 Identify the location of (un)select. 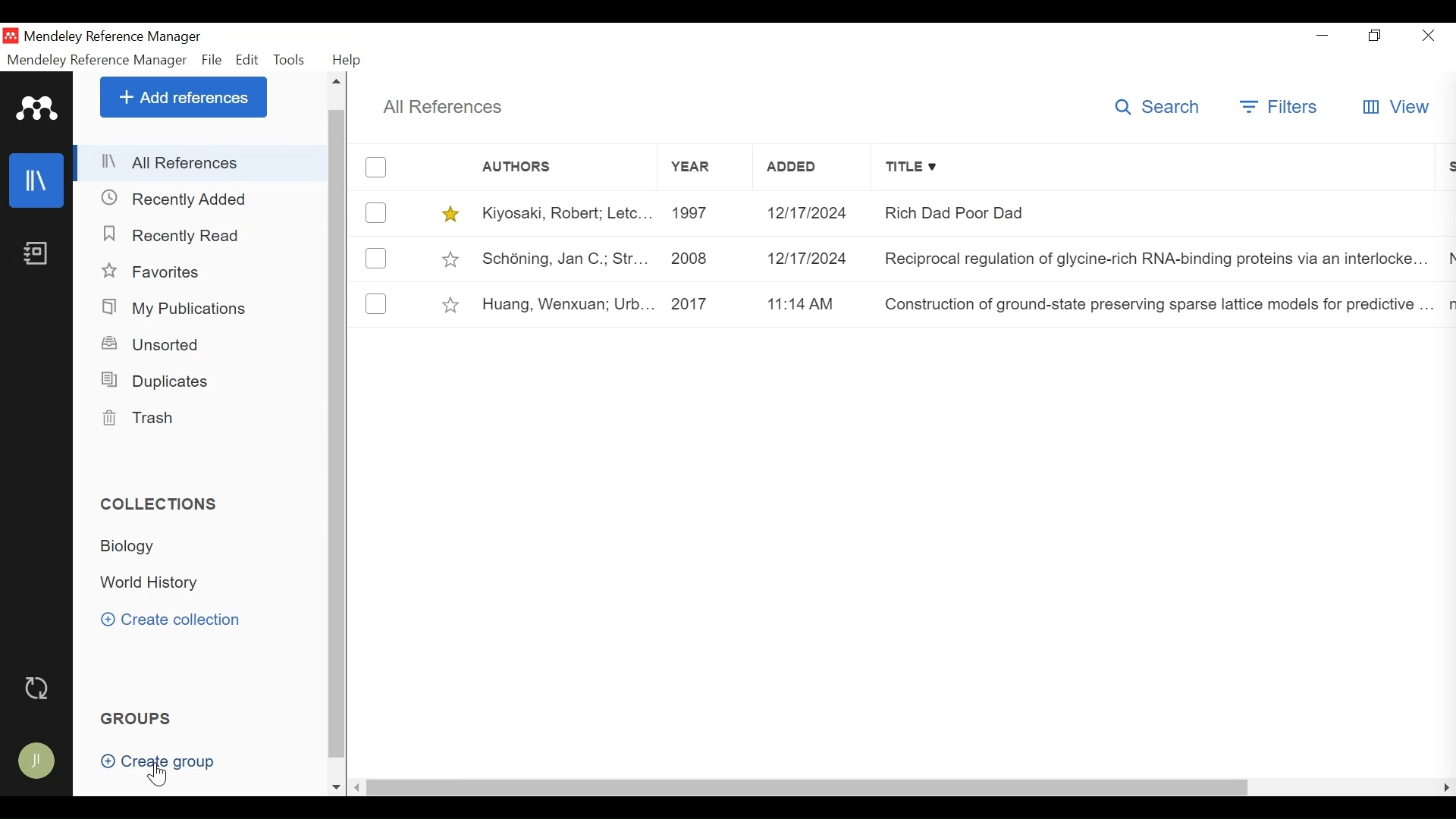
(376, 212).